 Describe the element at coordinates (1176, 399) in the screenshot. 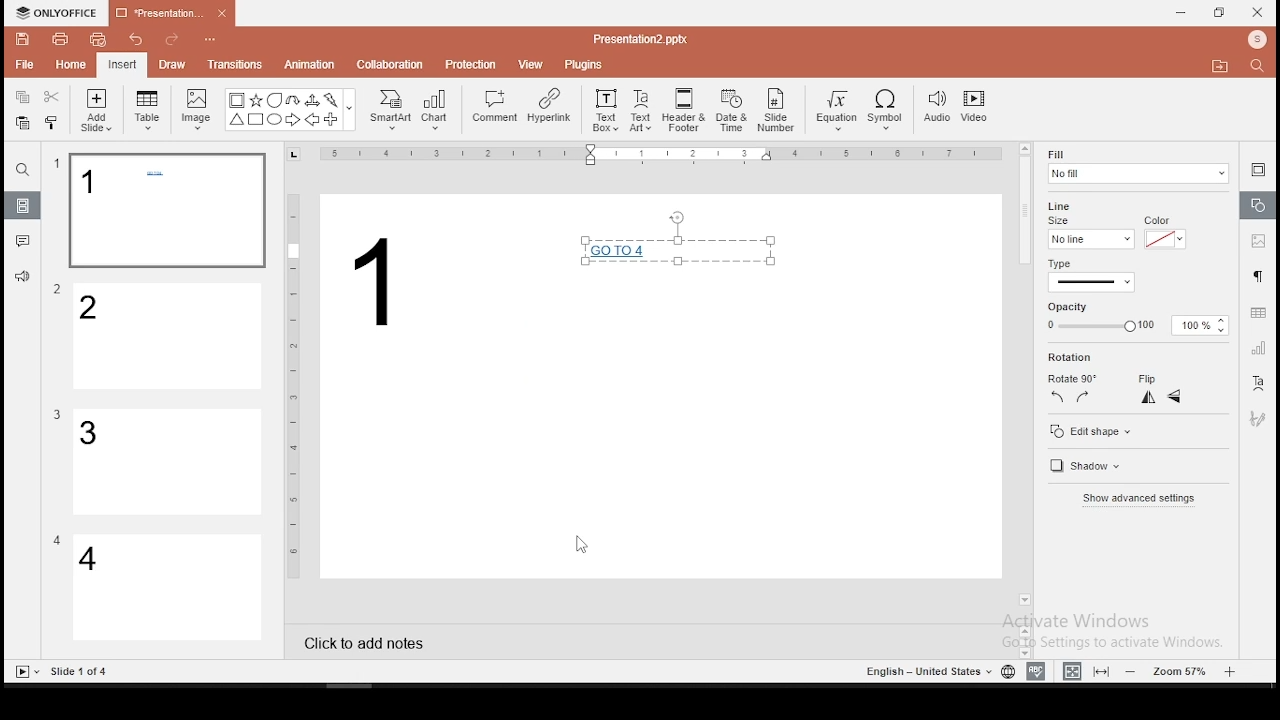

I see `flip vertical` at that location.